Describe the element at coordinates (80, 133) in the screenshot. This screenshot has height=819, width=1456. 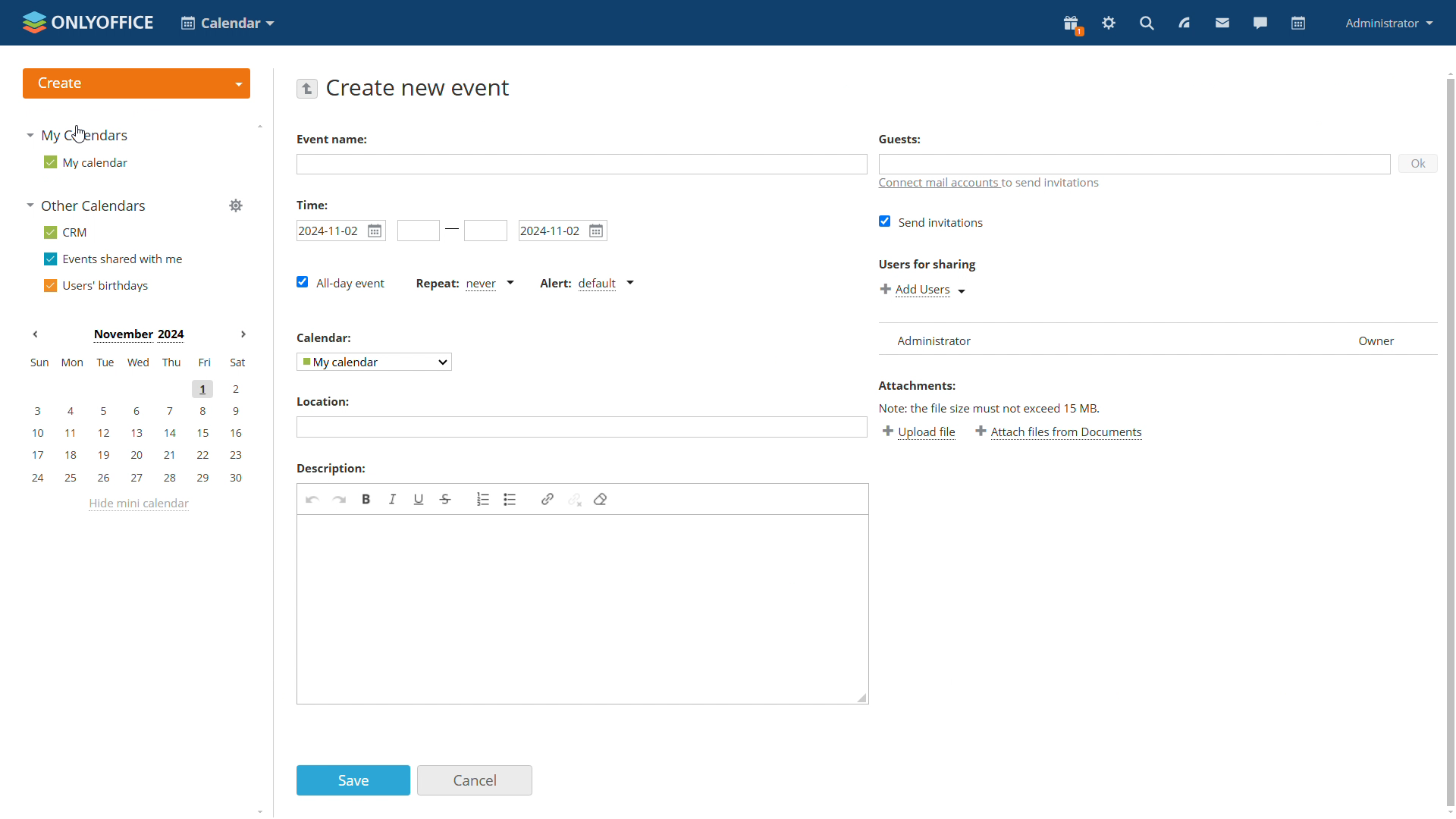
I see `my calendars` at that location.